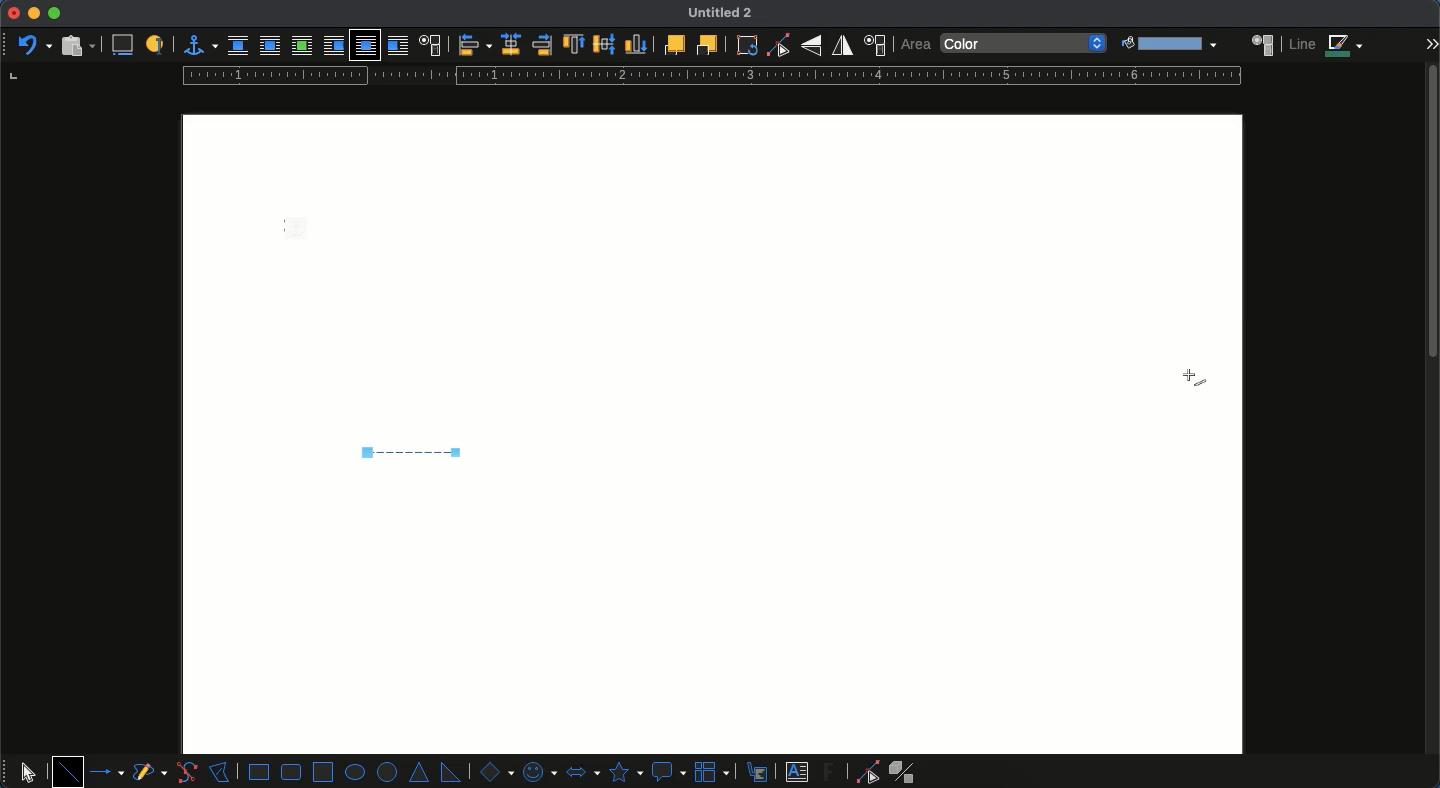 This screenshot has width=1440, height=788. I want to click on select, so click(28, 769).